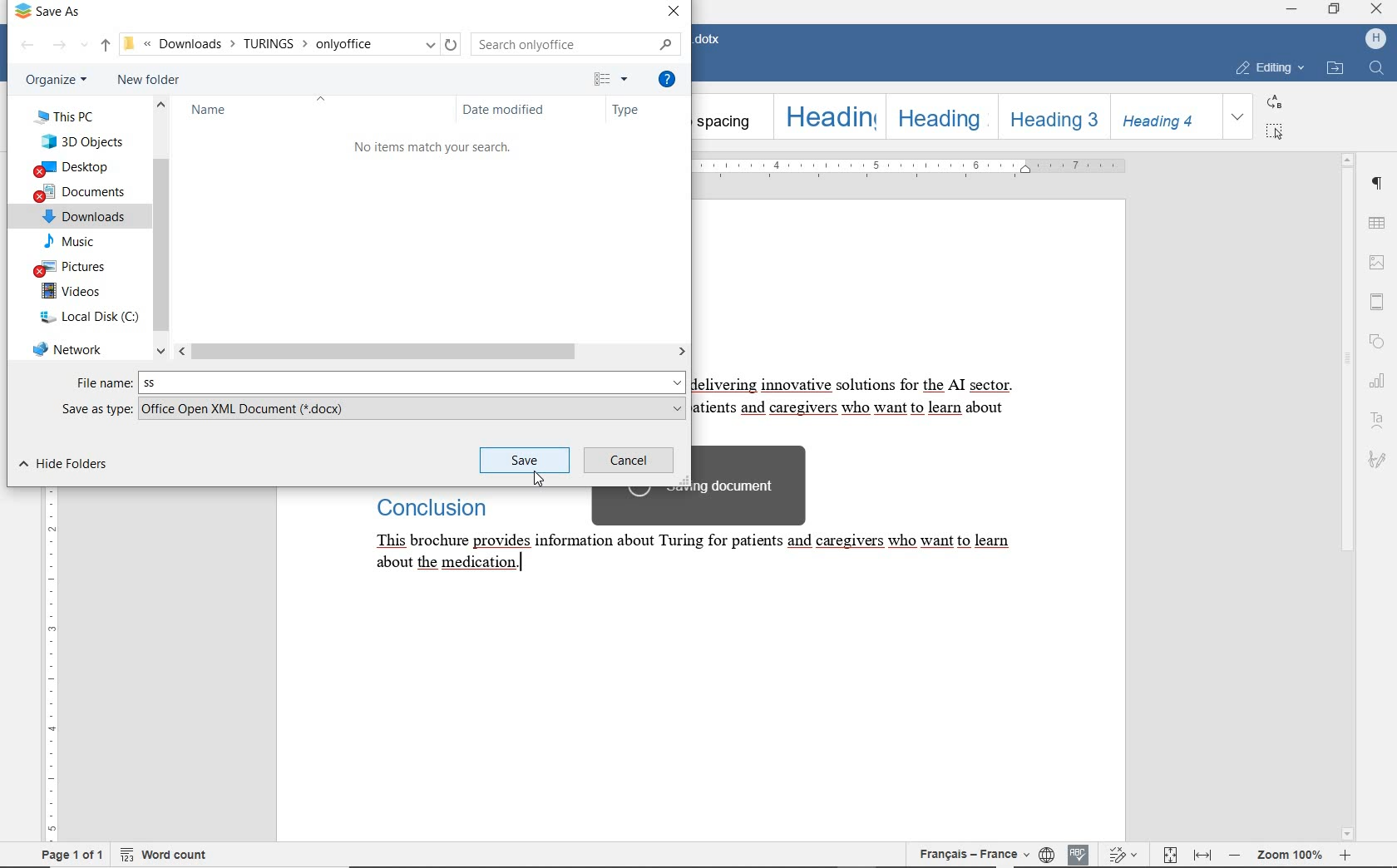  Describe the element at coordinates (69, 465) in the screenshot. I see `HIDE FOLDER` at that location.